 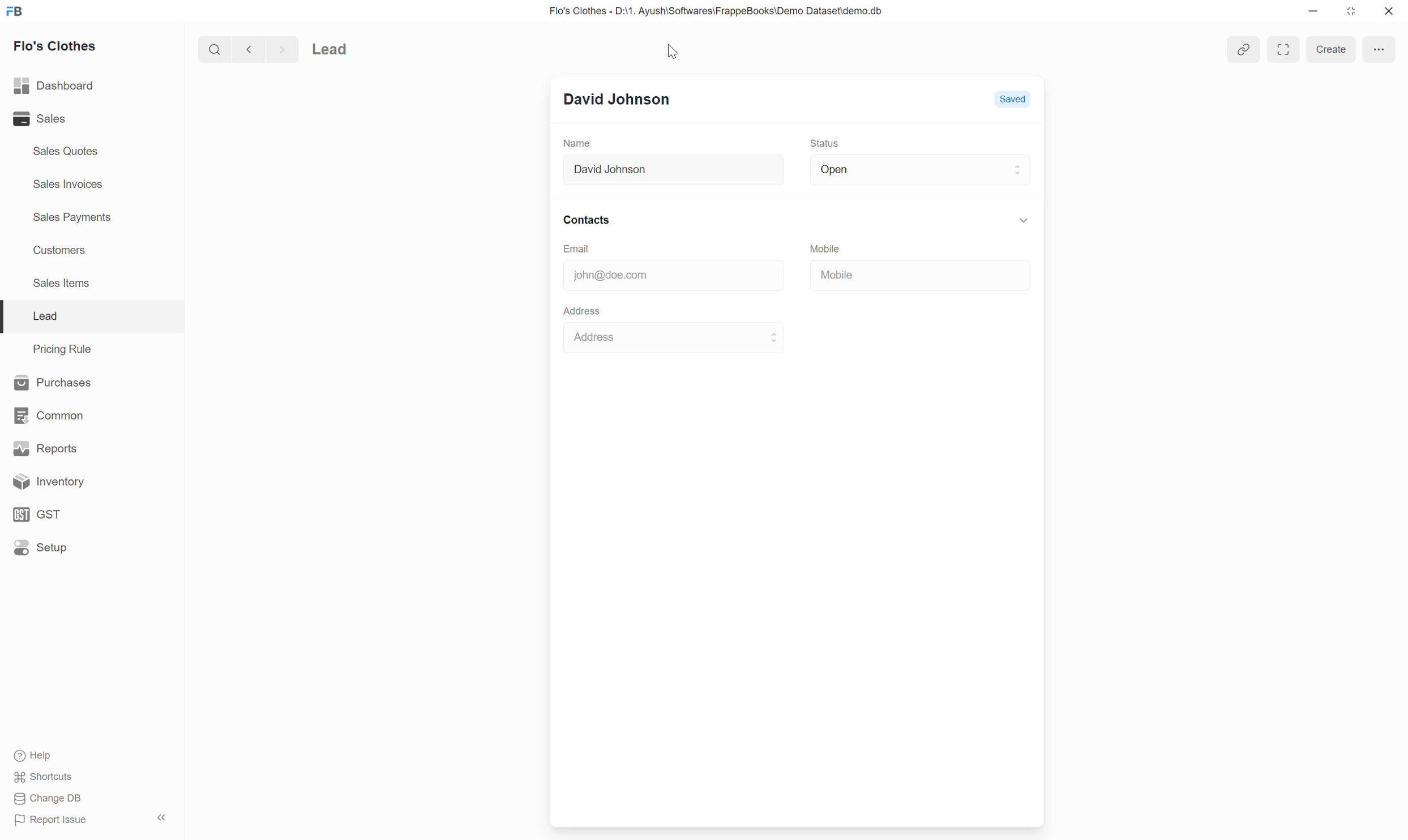 I want to click on expand, so click(x=1285, y=50).